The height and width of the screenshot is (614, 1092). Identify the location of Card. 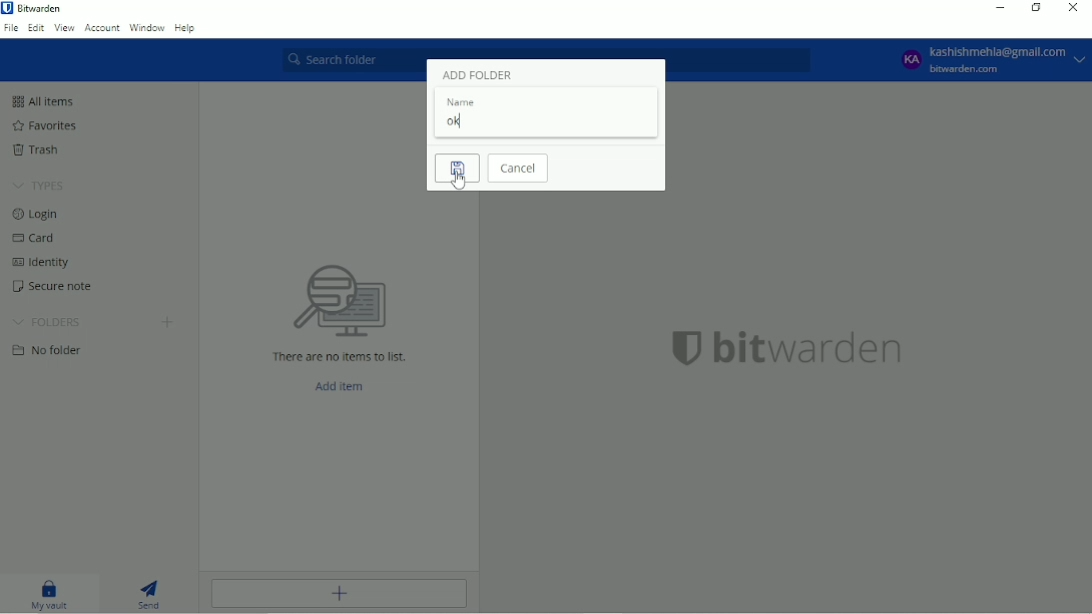
(38, 239).